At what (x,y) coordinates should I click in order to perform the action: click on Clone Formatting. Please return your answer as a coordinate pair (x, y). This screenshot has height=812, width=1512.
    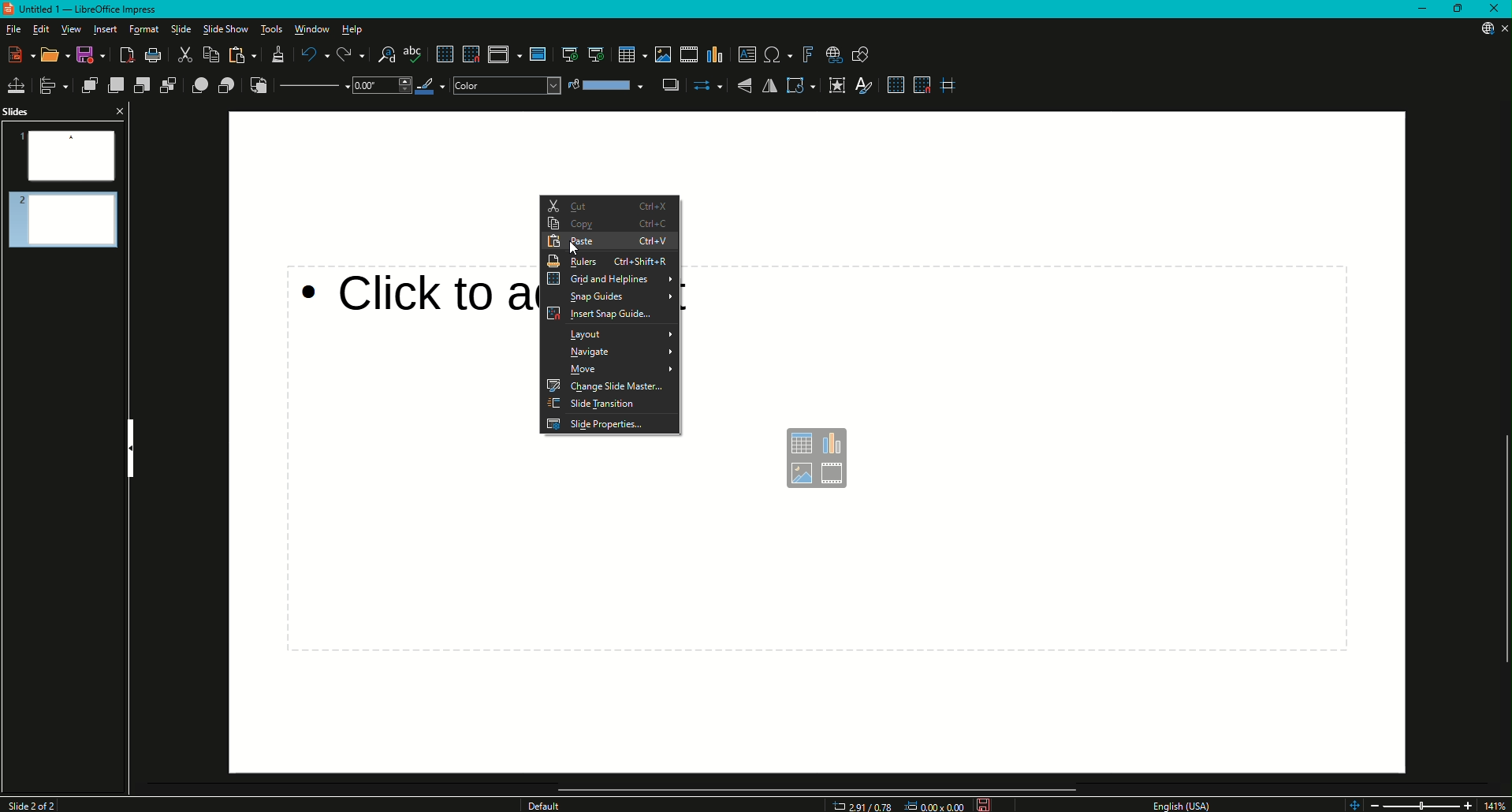
    Looking at the image, I should click on (277, 55).